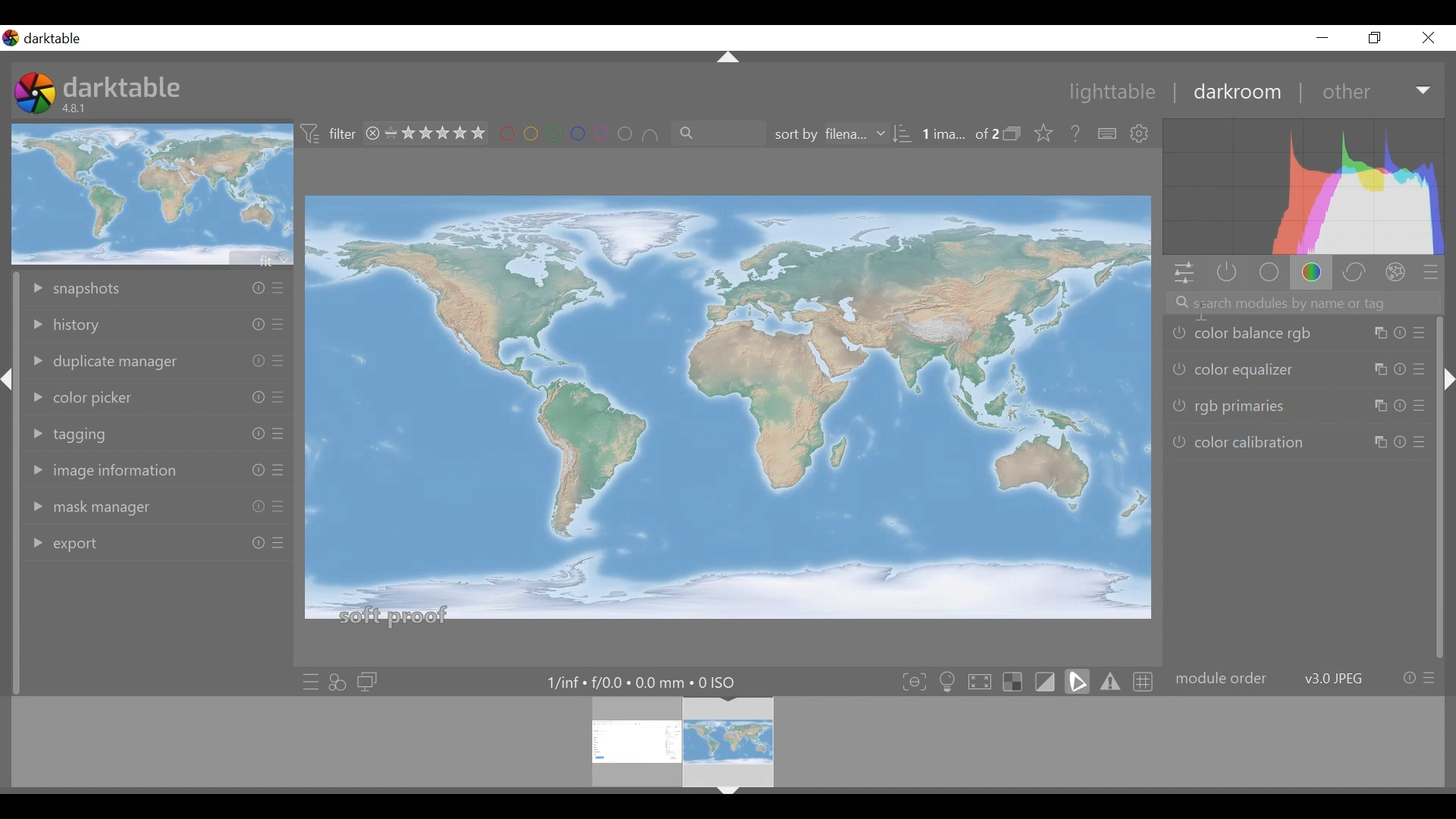  What do you see at coordinates (728, 795) in the screenshot?
I see `` at bounding box center [728, 795].